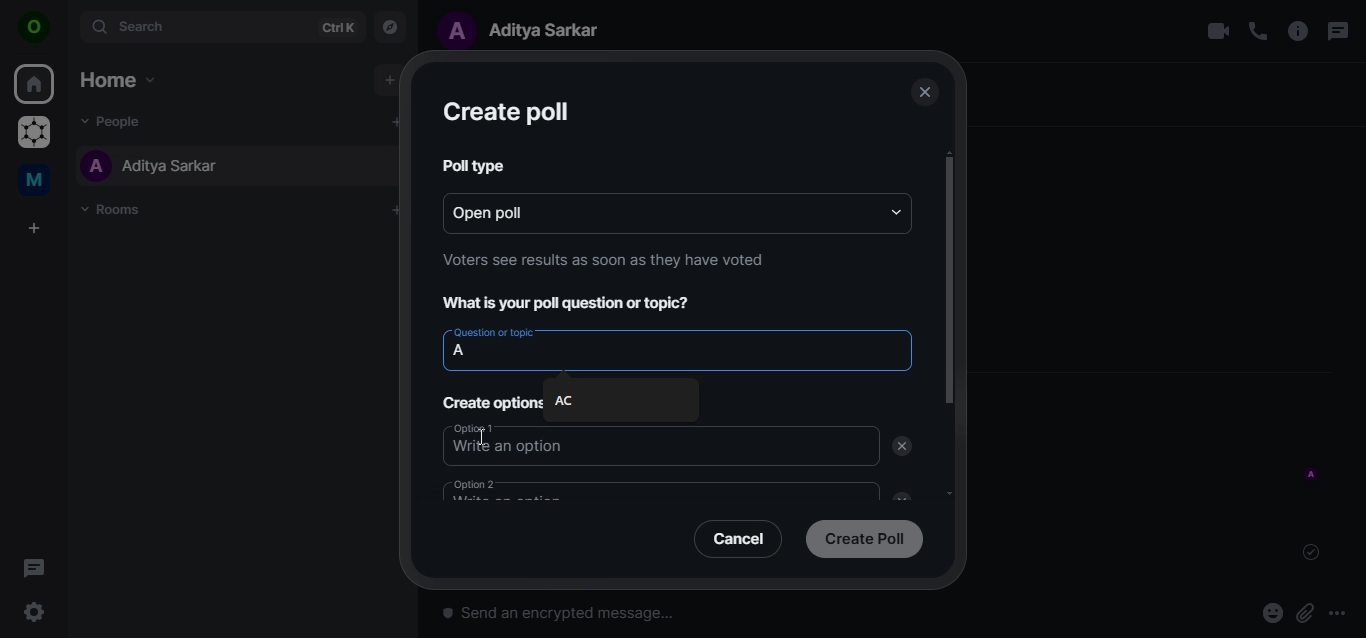 This screenshot has height=638, width=1366. What do you see at coordinates (1299, 33) in the screenshot?
I see `room options` at bounding box center [1299, 33].